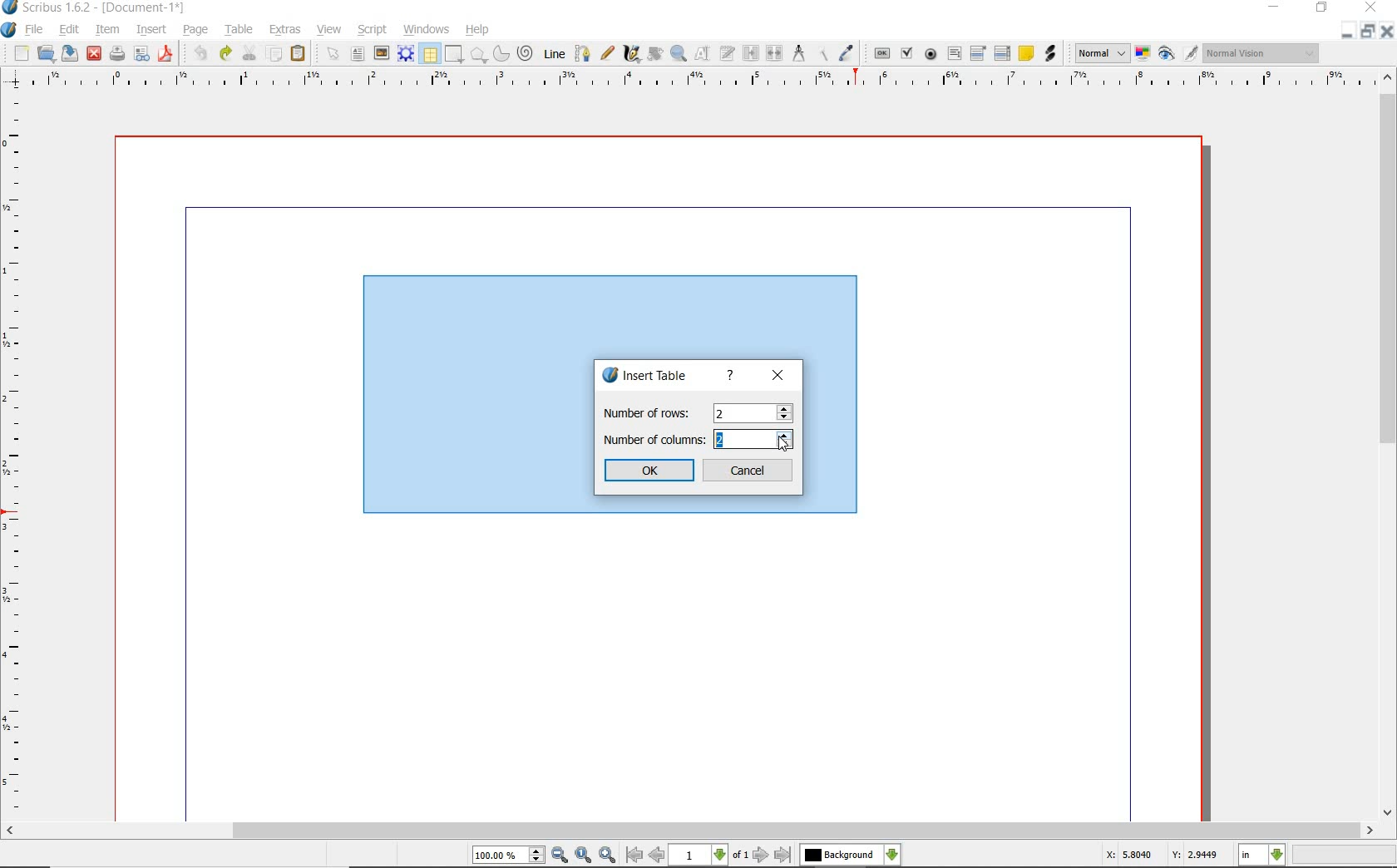 This screenshot has width=1397, height=868. What do you see at coordinates (1259, 53) in the screenshot?
I see `visual appearance of the display` at bounding box center [1259, 53].